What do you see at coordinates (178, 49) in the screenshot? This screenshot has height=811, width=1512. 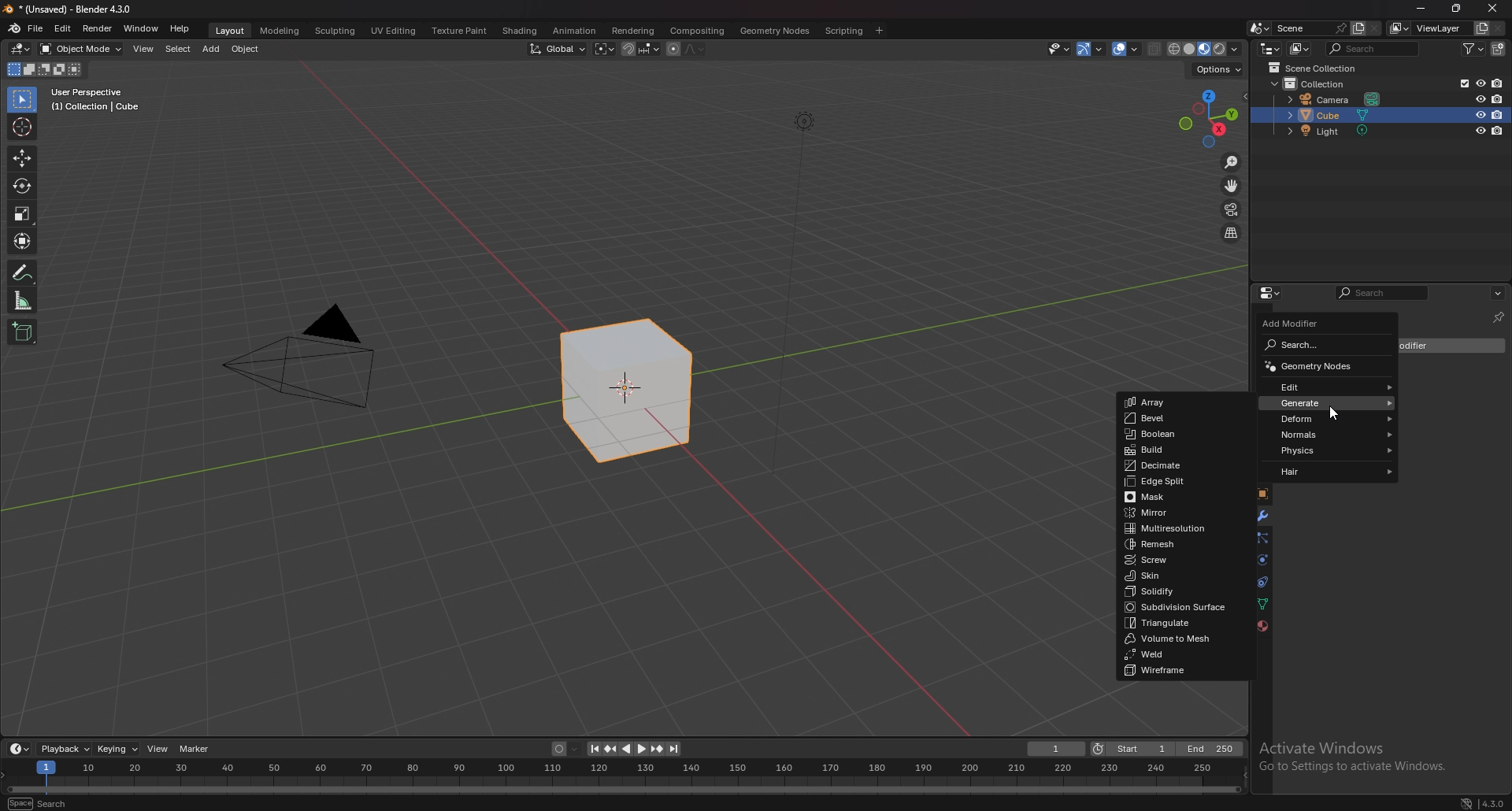 I see `select` at bounding box center [178, 49].